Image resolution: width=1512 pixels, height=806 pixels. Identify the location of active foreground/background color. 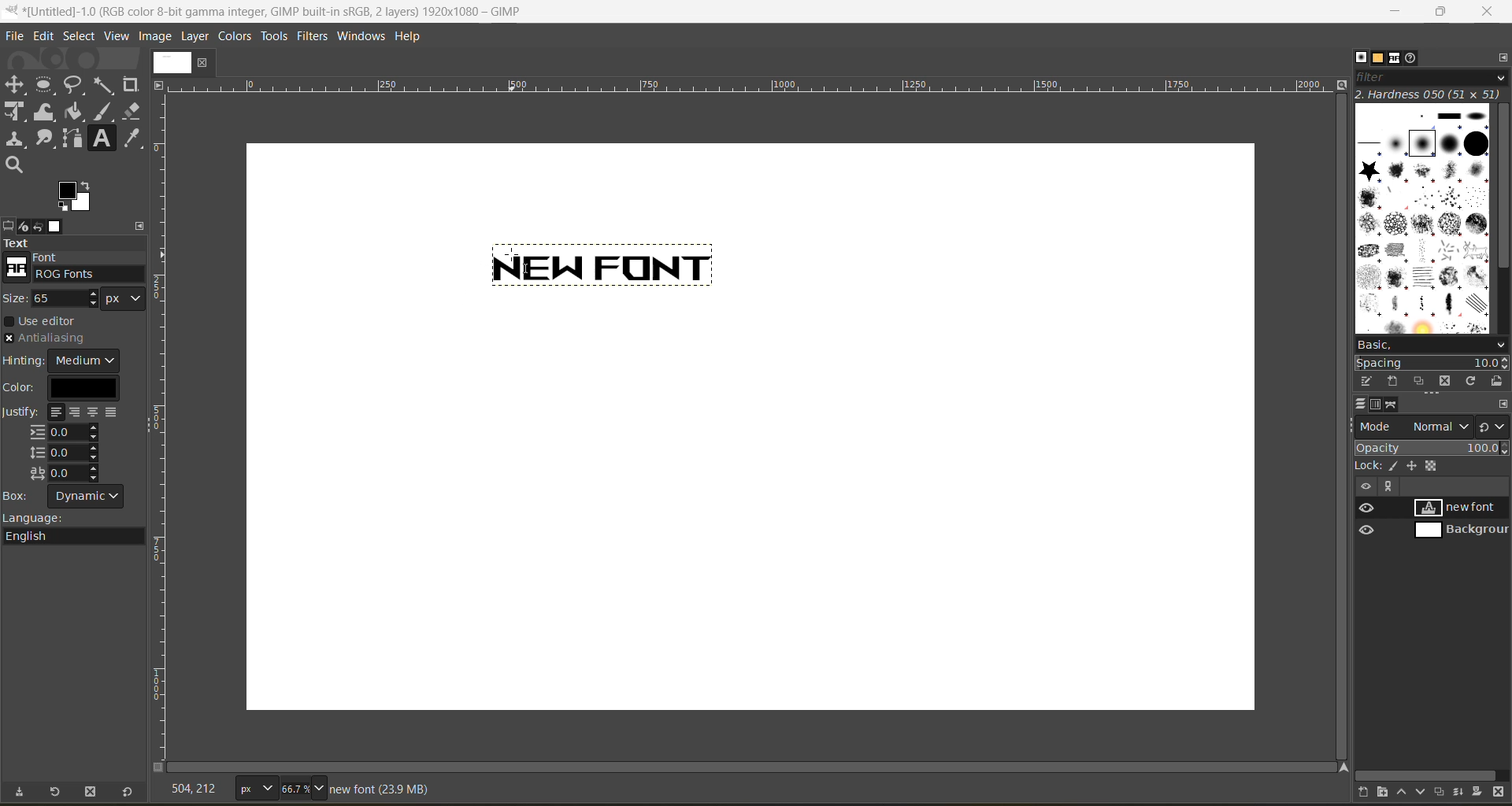
(78, 198).